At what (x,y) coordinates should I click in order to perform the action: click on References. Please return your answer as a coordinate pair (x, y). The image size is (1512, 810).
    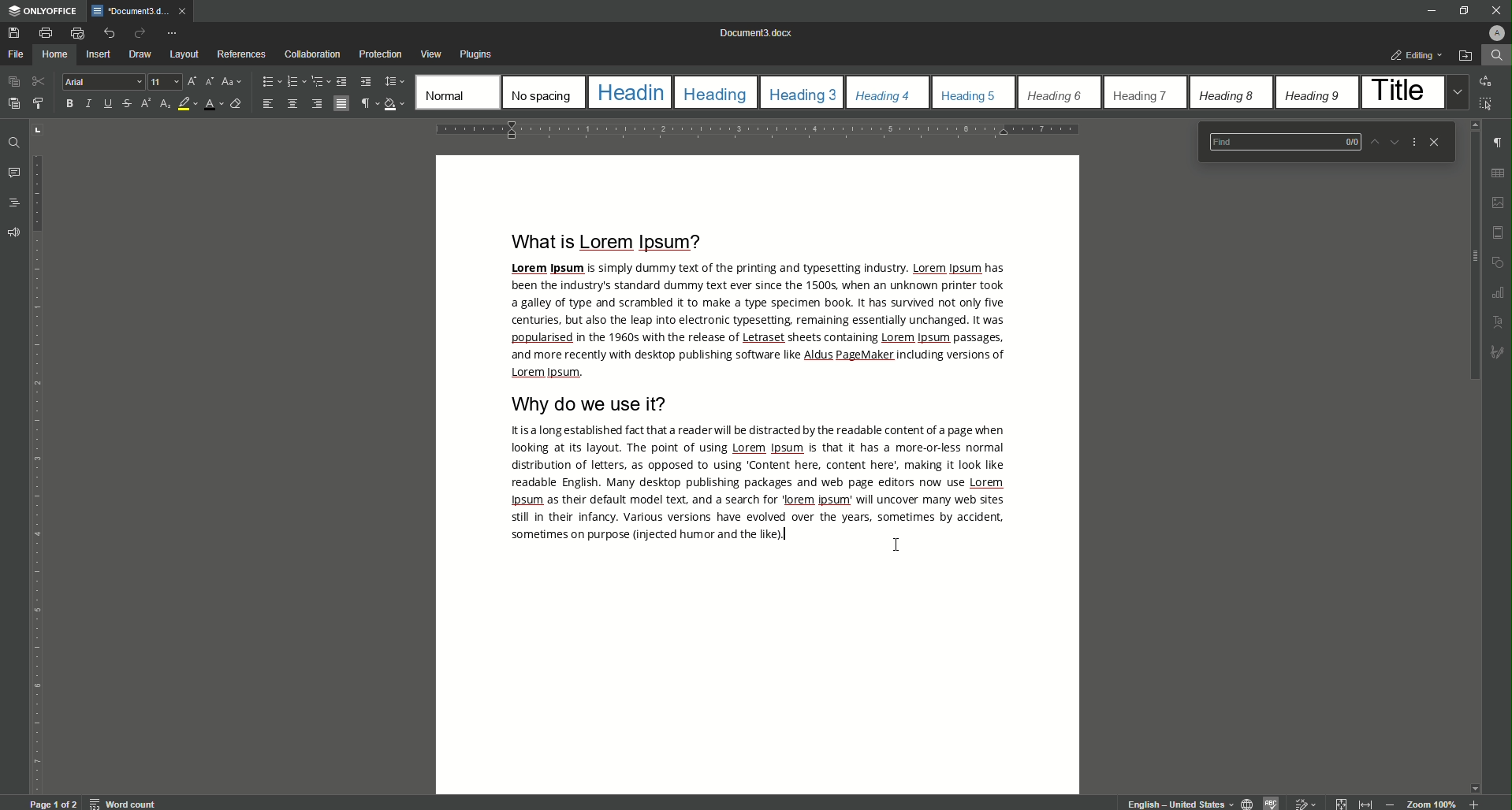
    Looking at the image, I should click on (240, 55).